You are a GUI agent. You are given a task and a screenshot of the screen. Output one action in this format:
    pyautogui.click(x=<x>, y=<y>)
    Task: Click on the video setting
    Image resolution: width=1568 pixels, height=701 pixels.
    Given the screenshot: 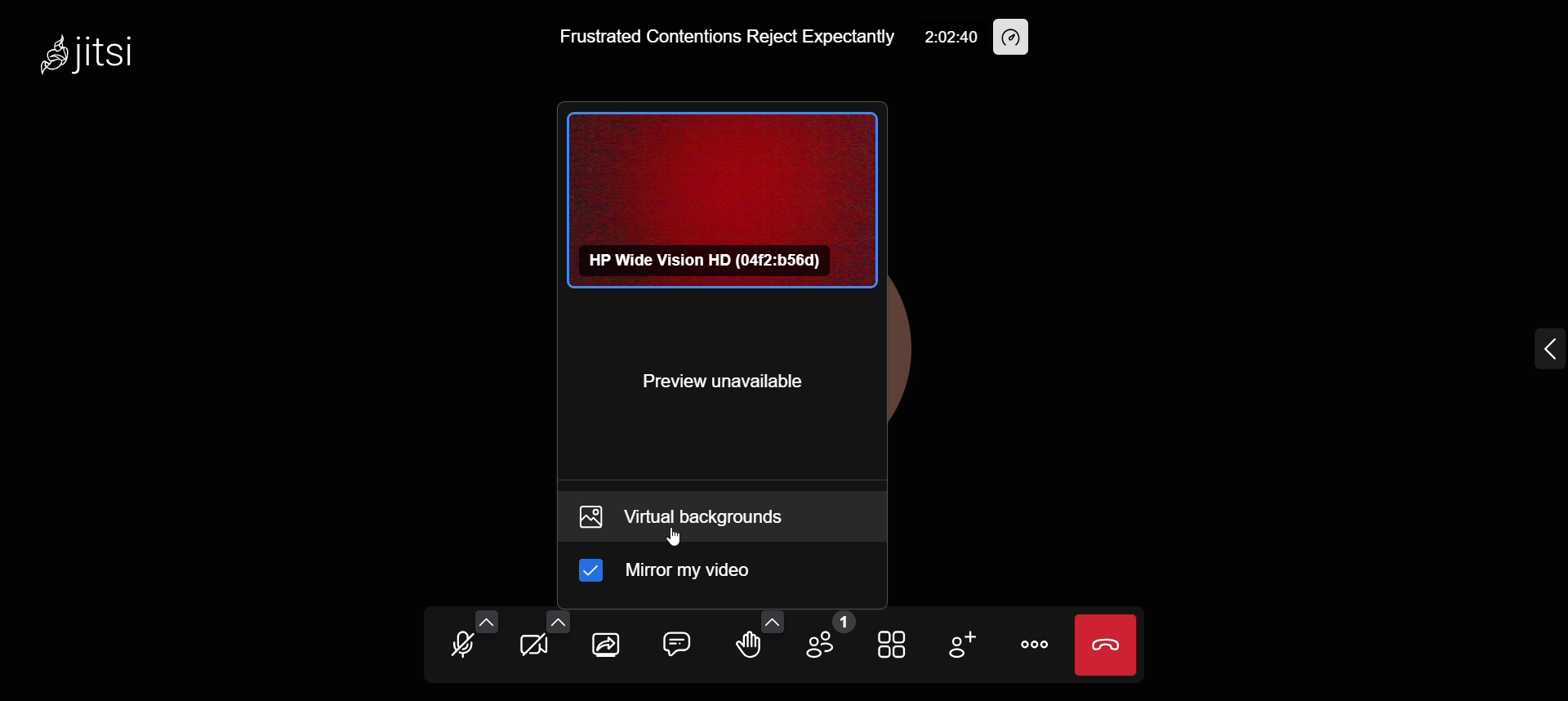 What is the action you would take?
    pyautogui.click(x=554, y=618)
    